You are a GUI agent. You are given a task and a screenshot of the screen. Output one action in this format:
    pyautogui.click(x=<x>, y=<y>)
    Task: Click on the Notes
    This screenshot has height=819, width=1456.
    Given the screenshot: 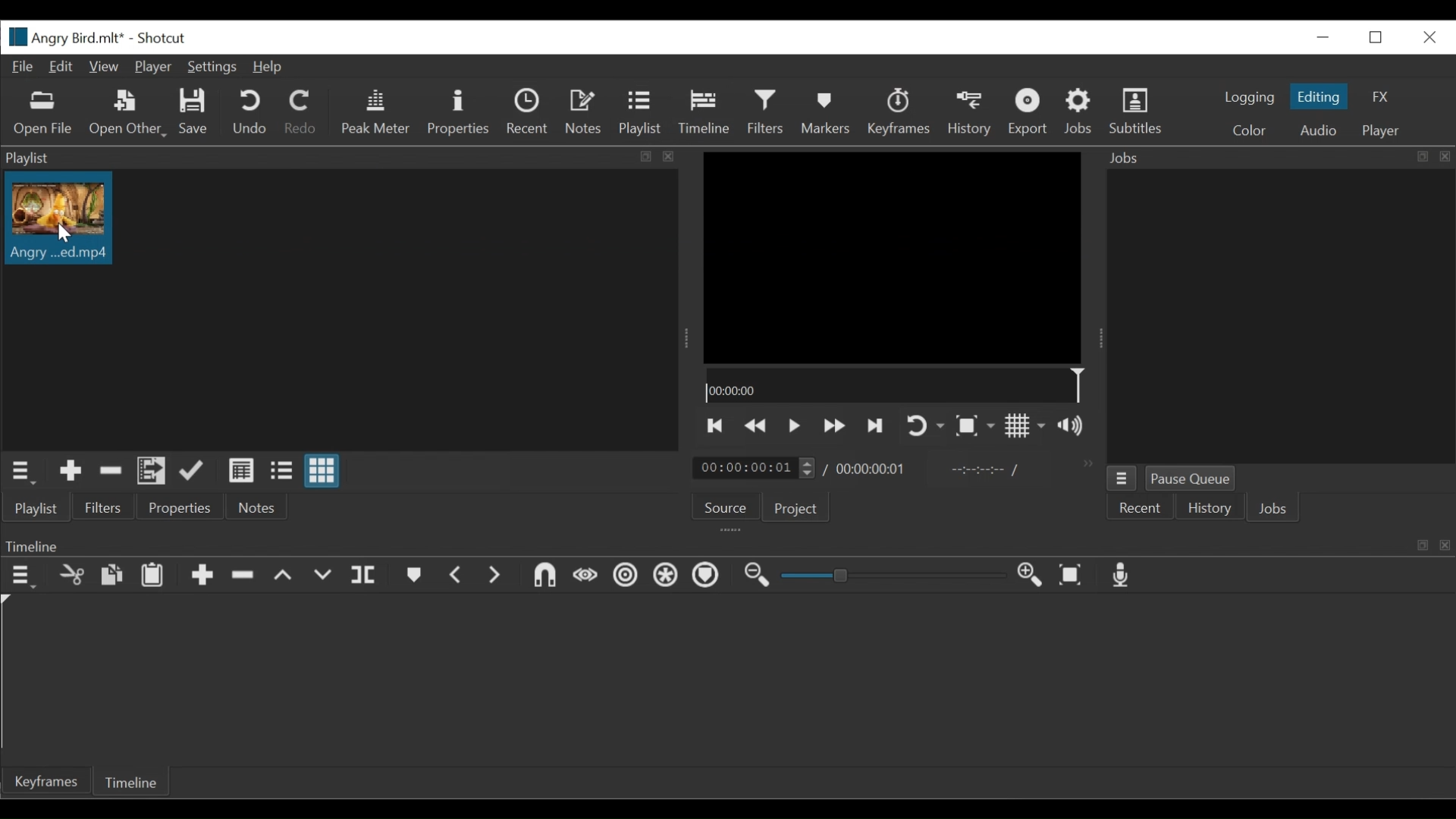 What is the action you would take?
    pyautogui.click(x=583, y=111)
    